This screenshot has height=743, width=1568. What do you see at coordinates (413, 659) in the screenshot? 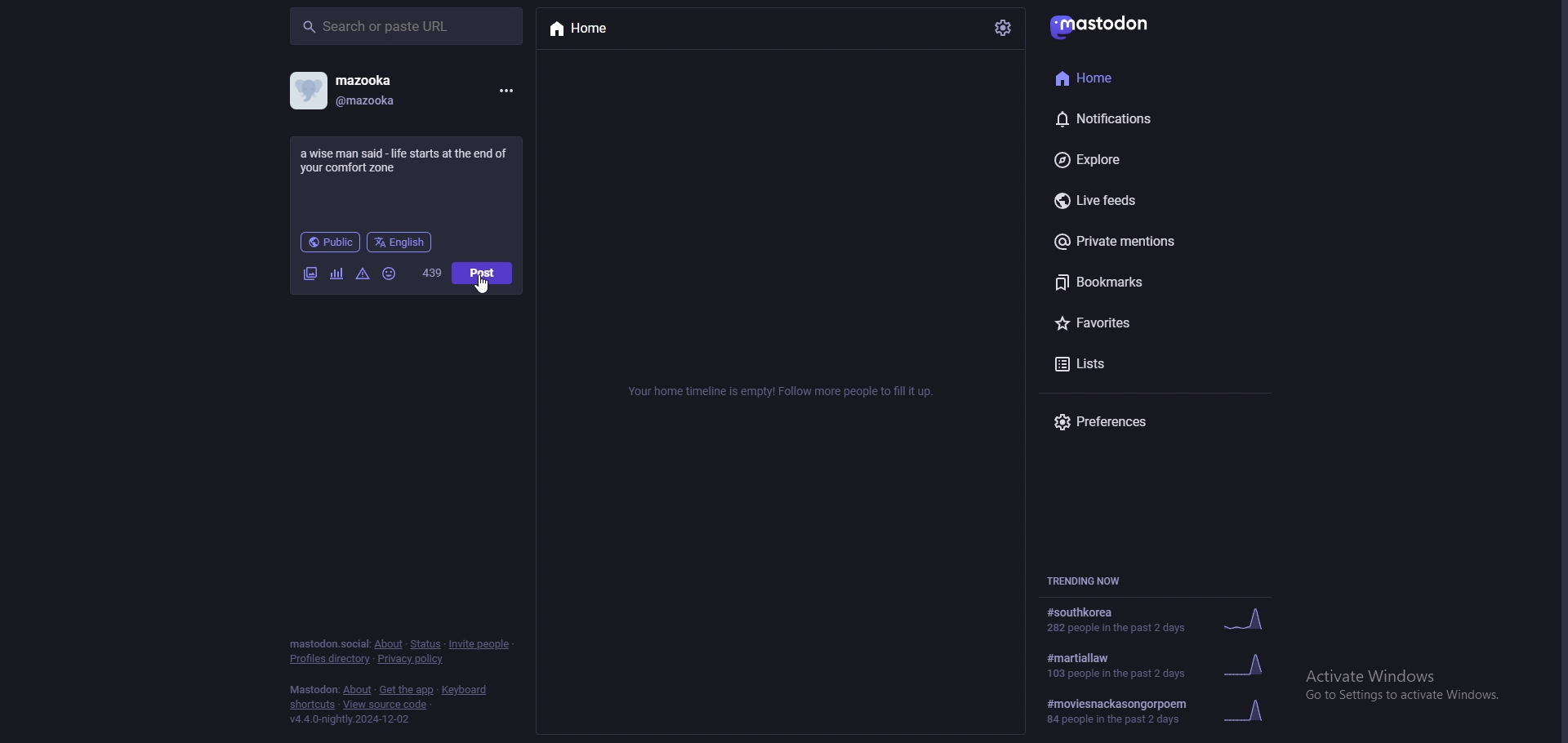
I see `privacy policy` at bounding box center [413, 659].